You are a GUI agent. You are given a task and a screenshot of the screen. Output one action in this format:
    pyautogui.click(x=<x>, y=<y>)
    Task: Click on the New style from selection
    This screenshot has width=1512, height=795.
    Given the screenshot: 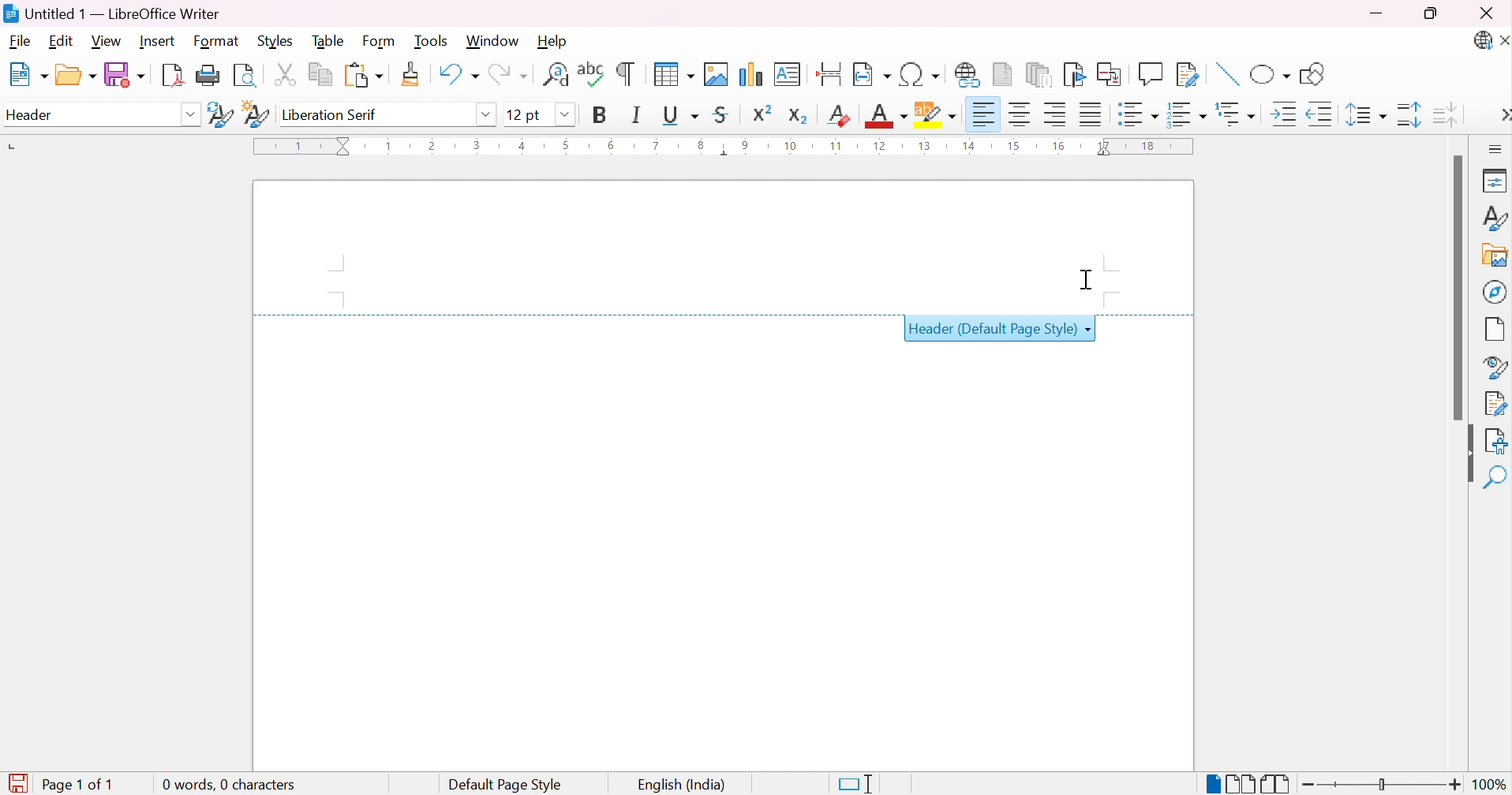 What is the action you would take?
    pyautogui.click(x=258, y=115)
    